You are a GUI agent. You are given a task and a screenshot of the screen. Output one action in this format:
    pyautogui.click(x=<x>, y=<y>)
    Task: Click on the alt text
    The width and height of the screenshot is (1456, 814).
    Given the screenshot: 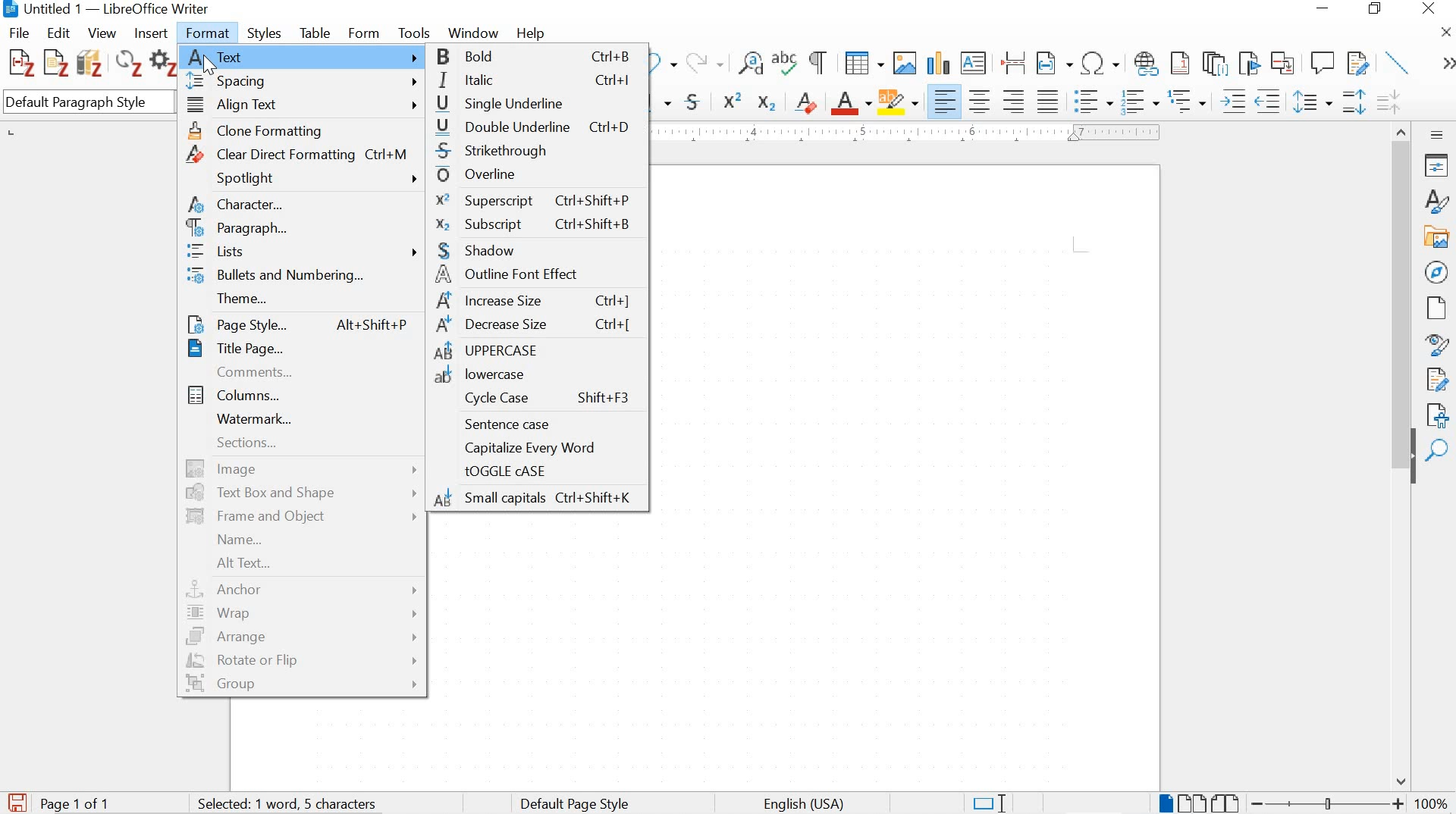 What is the action you would take?
    pyautogui.click(x=296, y=562)
    